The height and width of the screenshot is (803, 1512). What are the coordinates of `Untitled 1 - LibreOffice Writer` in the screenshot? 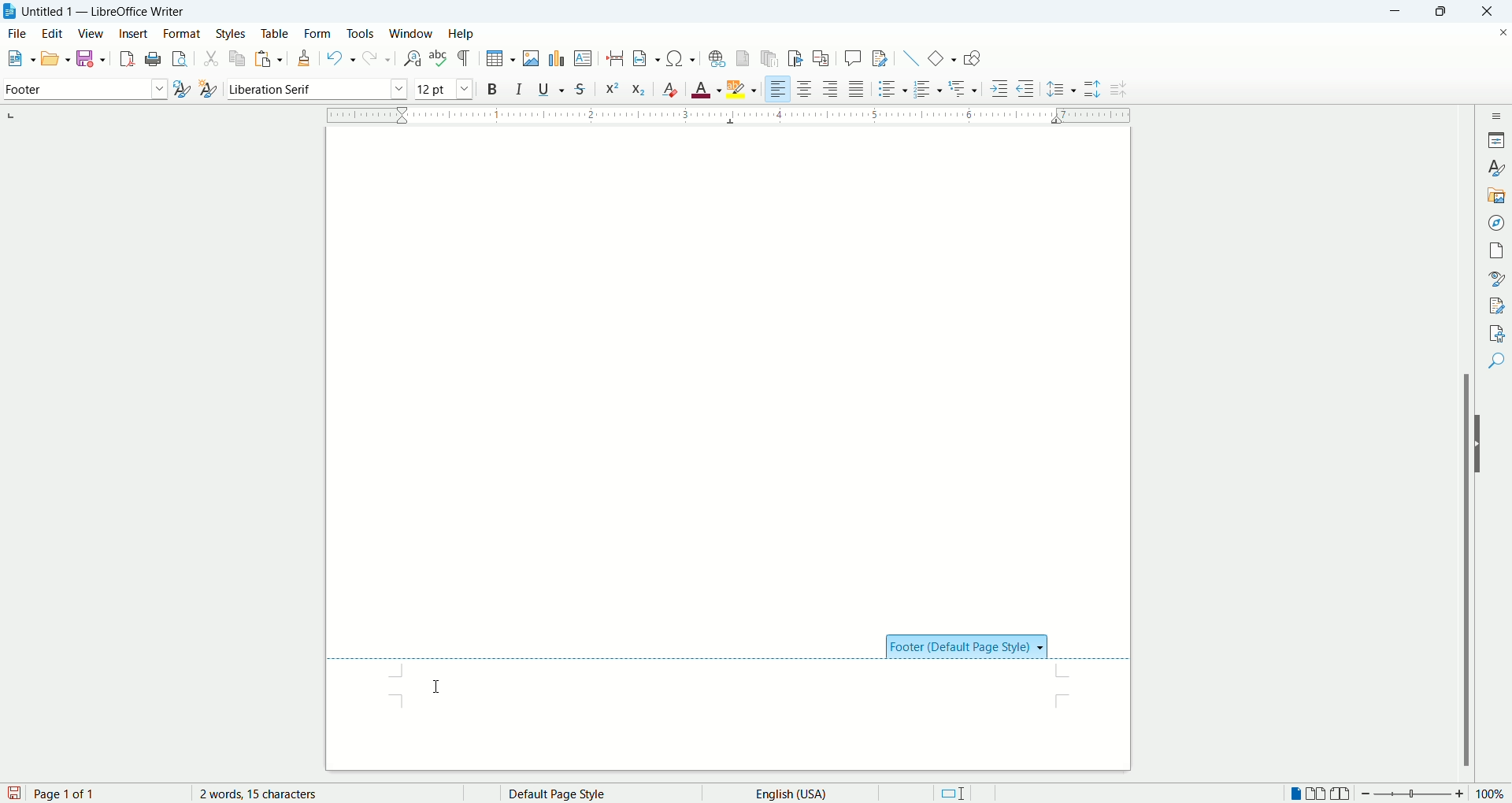 It's located at (107, 11).